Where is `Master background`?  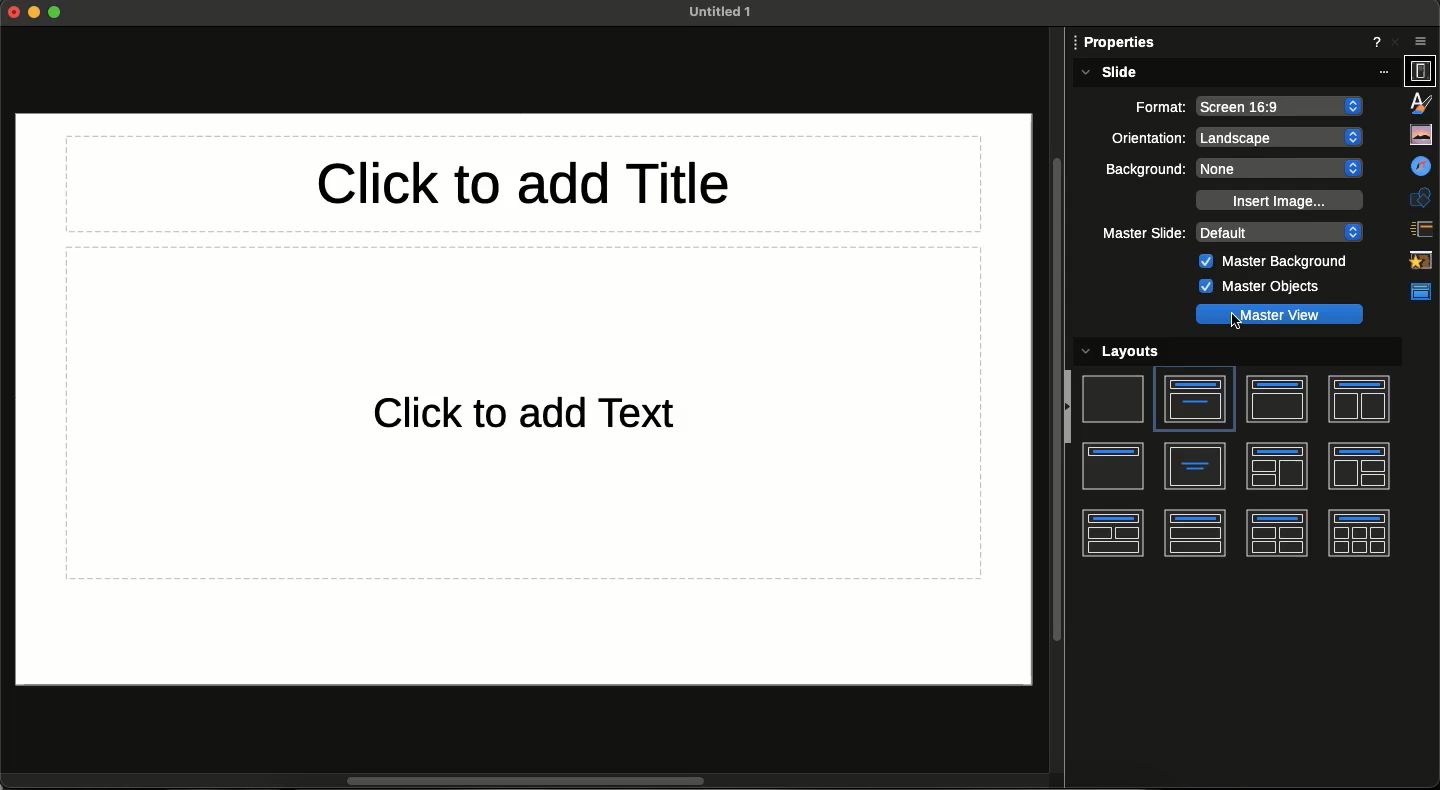 Master background is located at coordinates (1276, 263).